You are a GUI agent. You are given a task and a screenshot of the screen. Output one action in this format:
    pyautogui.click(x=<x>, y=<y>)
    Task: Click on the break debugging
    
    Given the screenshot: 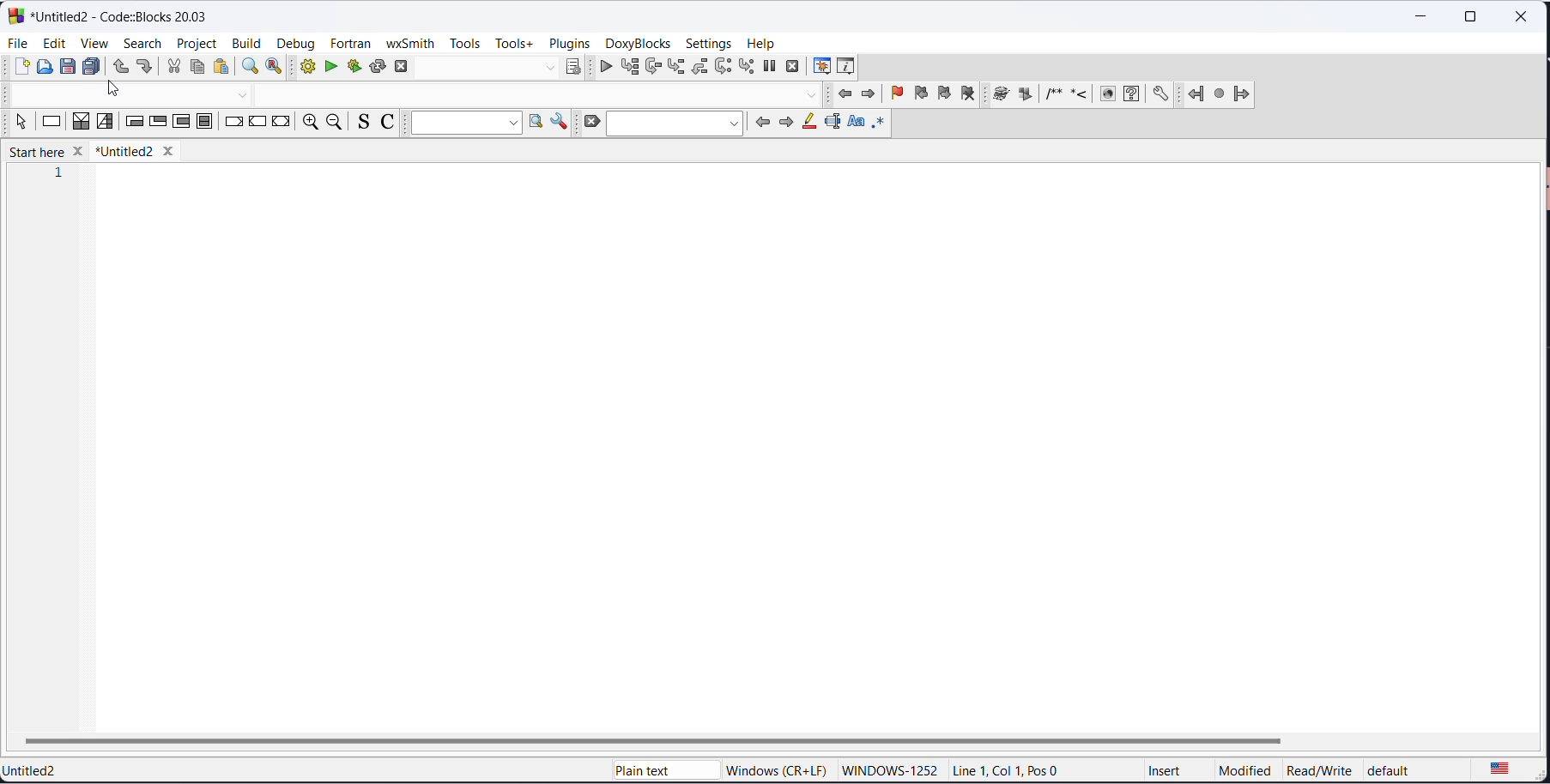 What is the action you would take?
    pyautogui.click(x=768, y=68)
    